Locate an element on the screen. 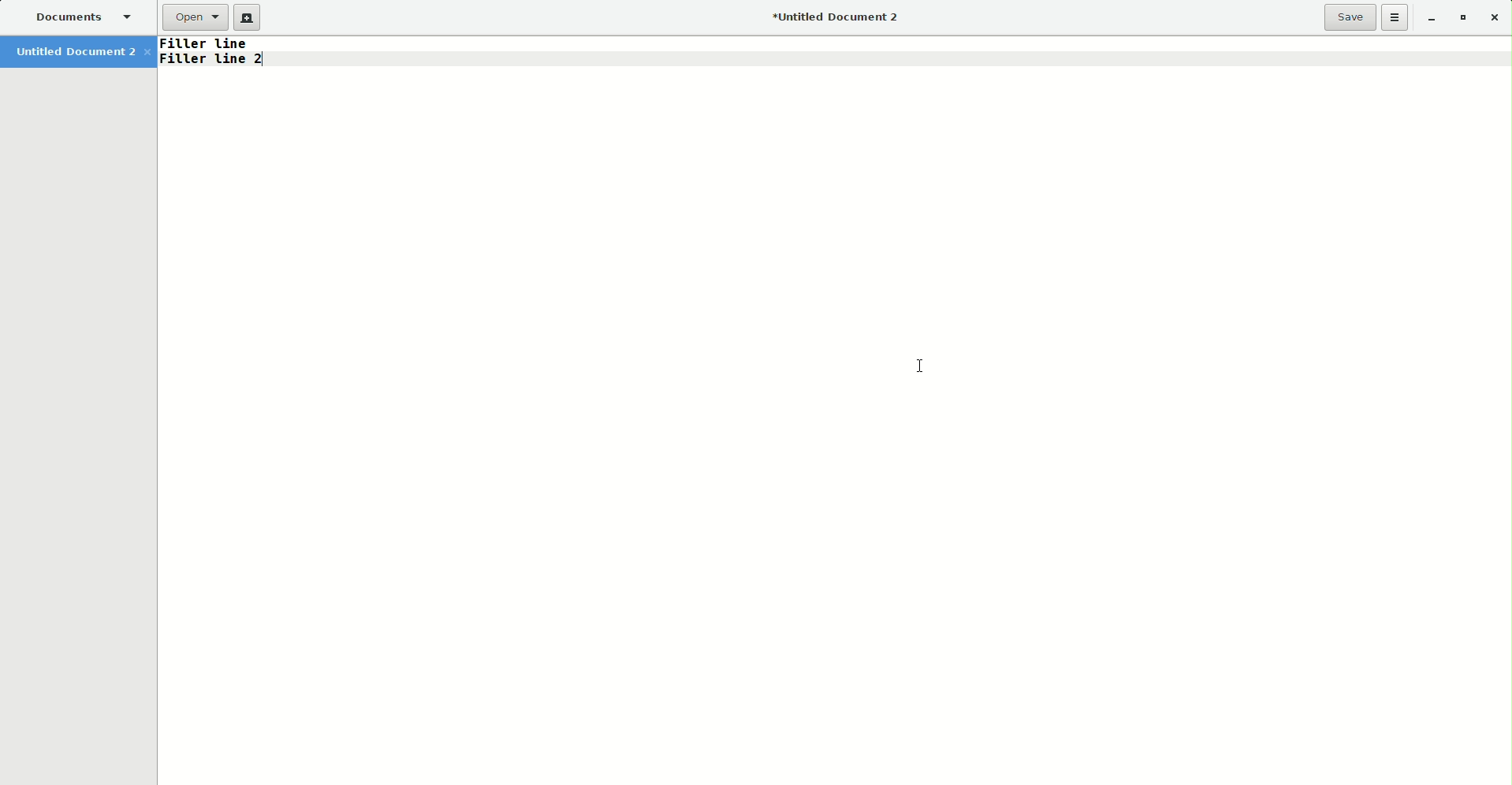 This screenshot has height=785, width=1512. Minimize is located at coordinates (1428, 17).